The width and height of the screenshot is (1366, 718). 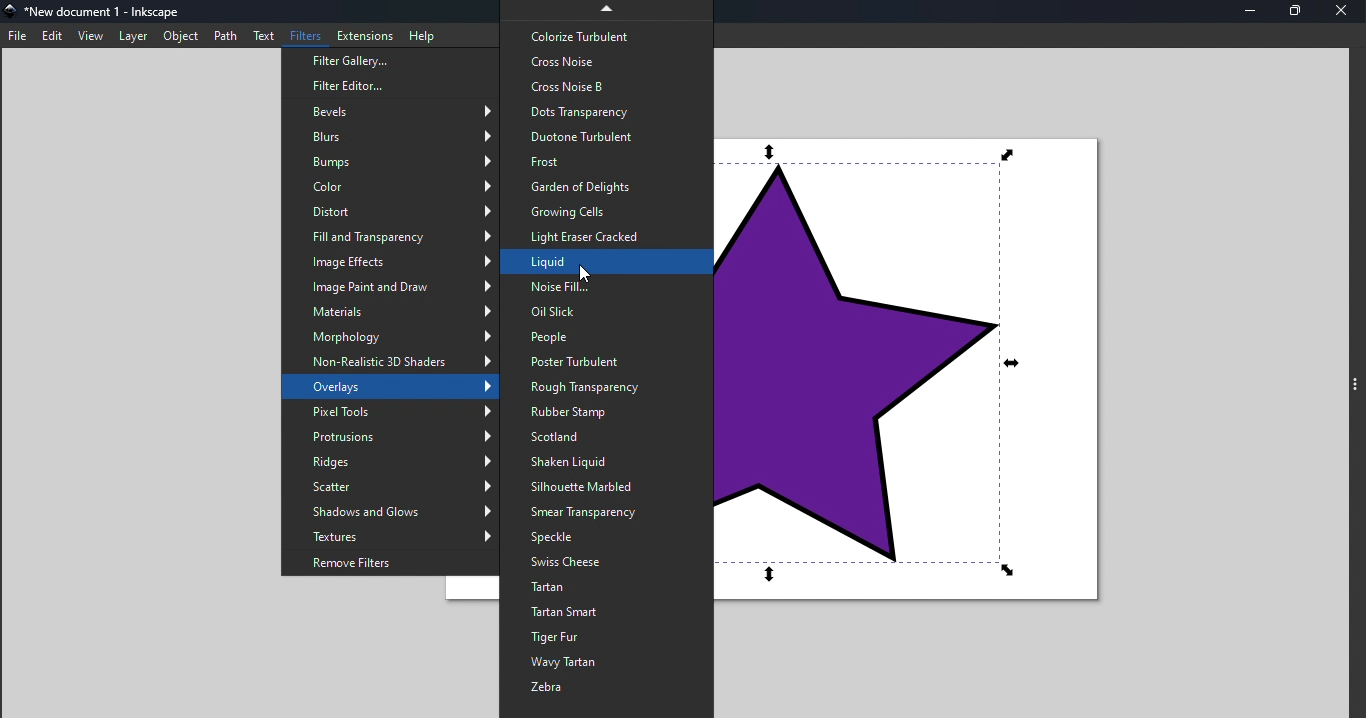 What do you see at coordinates (387, 63) in the screenshot?
I see `Filter gallery` at bounding box center [387, 63].